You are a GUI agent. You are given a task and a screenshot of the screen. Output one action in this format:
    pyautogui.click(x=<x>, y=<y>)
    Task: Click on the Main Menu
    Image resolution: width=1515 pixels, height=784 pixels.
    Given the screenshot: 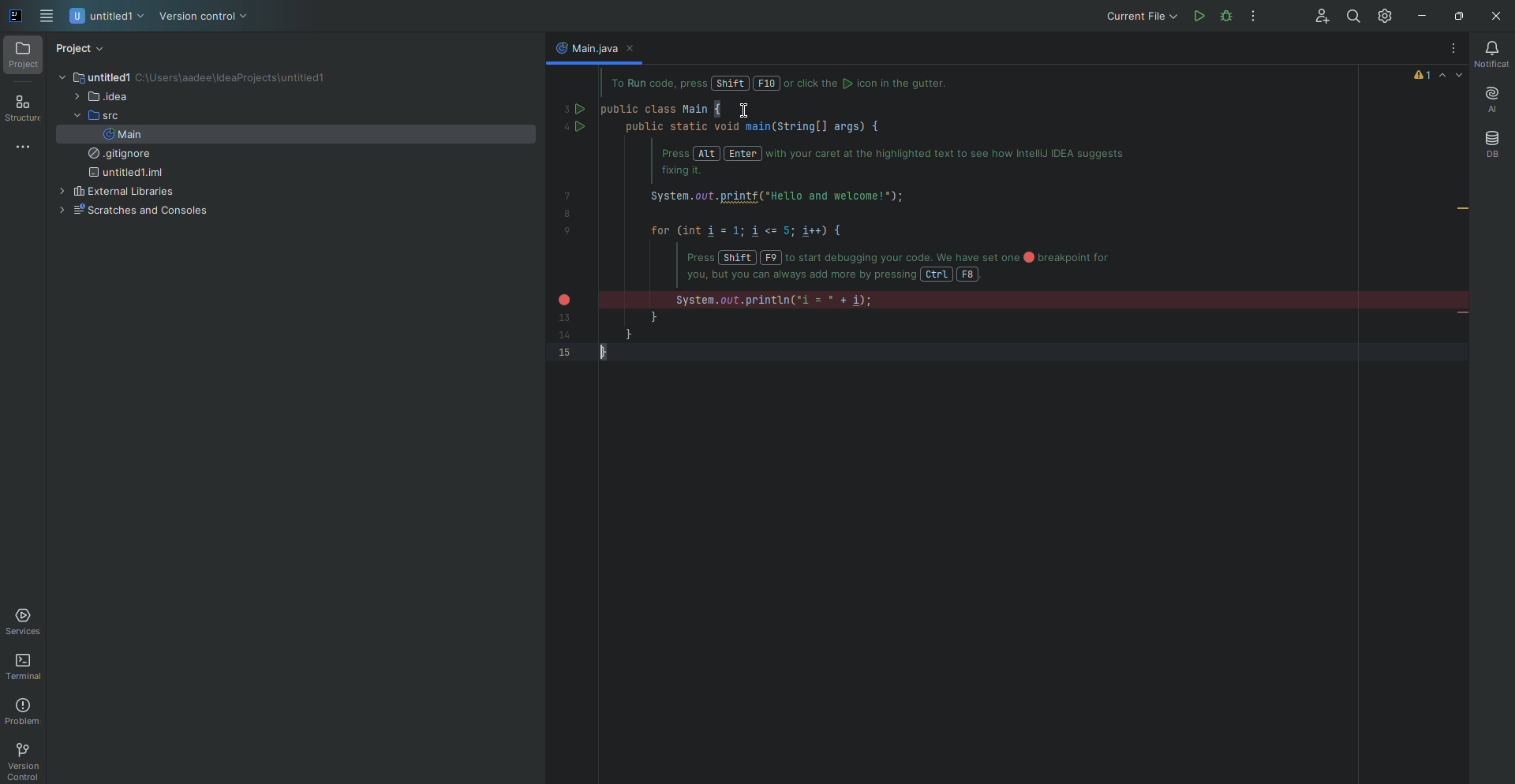 What is the action you would take?
    pyautogui.click(x=48, y=17)
    